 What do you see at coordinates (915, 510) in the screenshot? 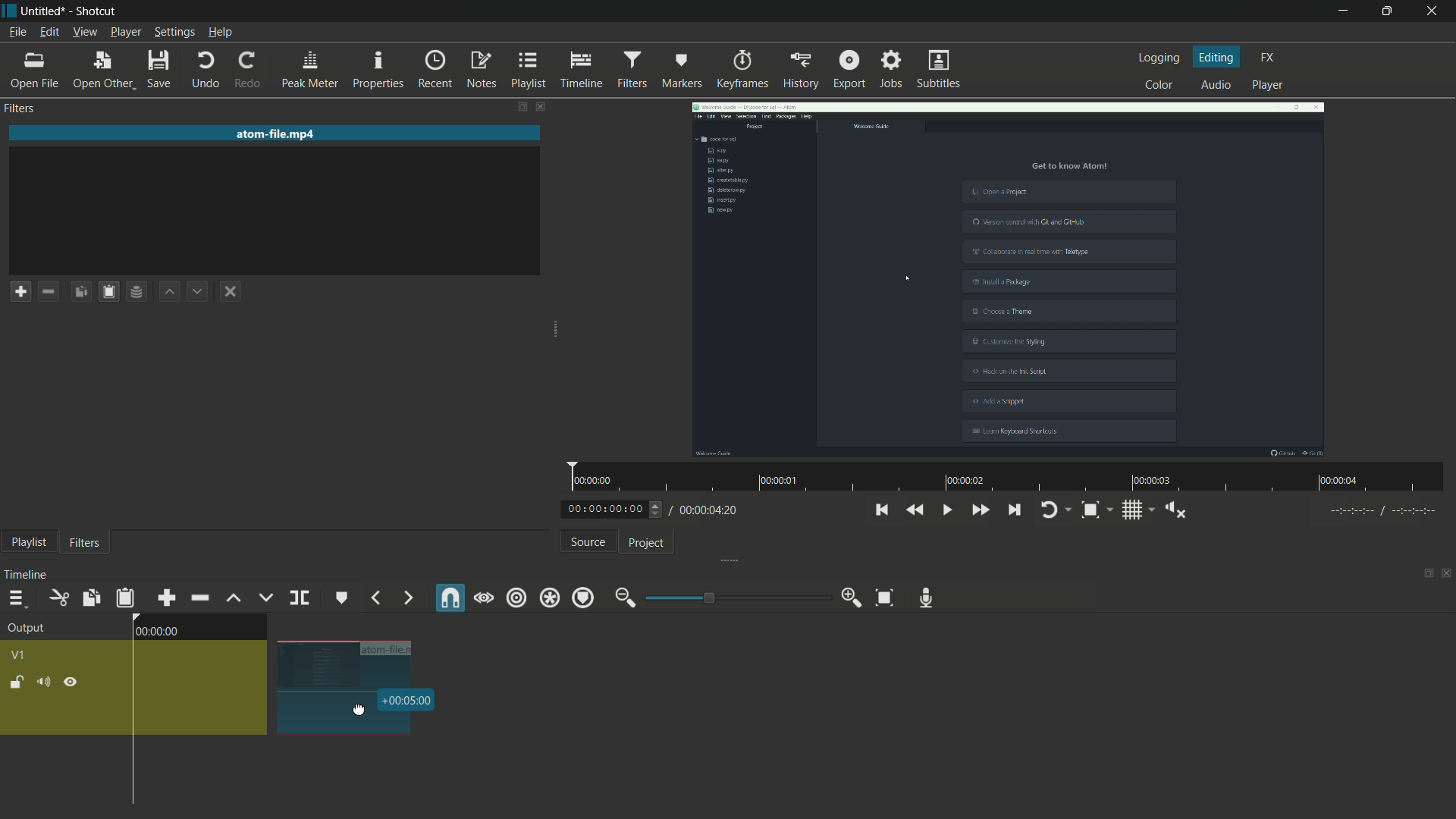
I see `quickly play backward` at bounding box center [915, 510].